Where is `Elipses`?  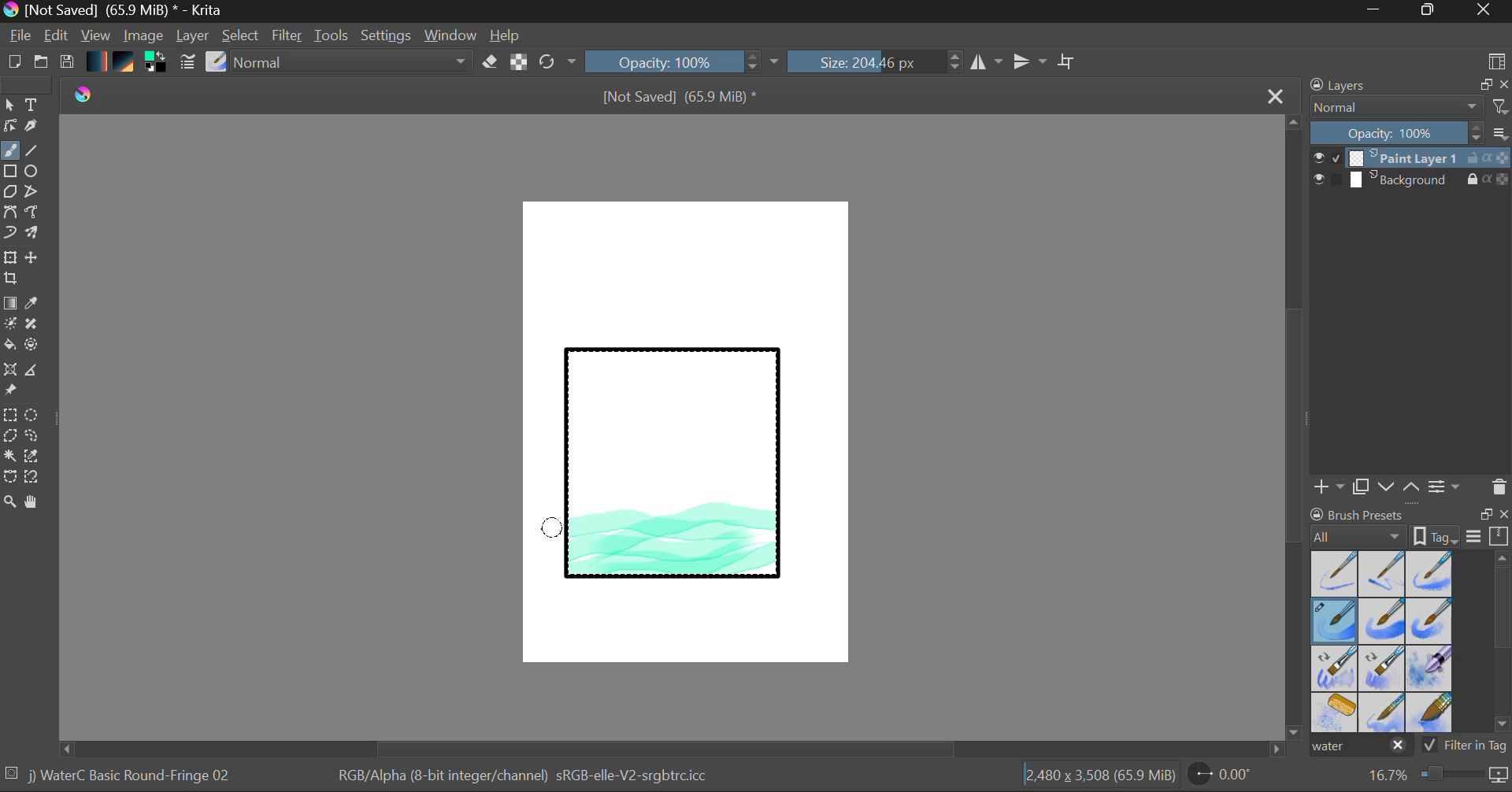
Elipses is located at coordinates (34, 172).